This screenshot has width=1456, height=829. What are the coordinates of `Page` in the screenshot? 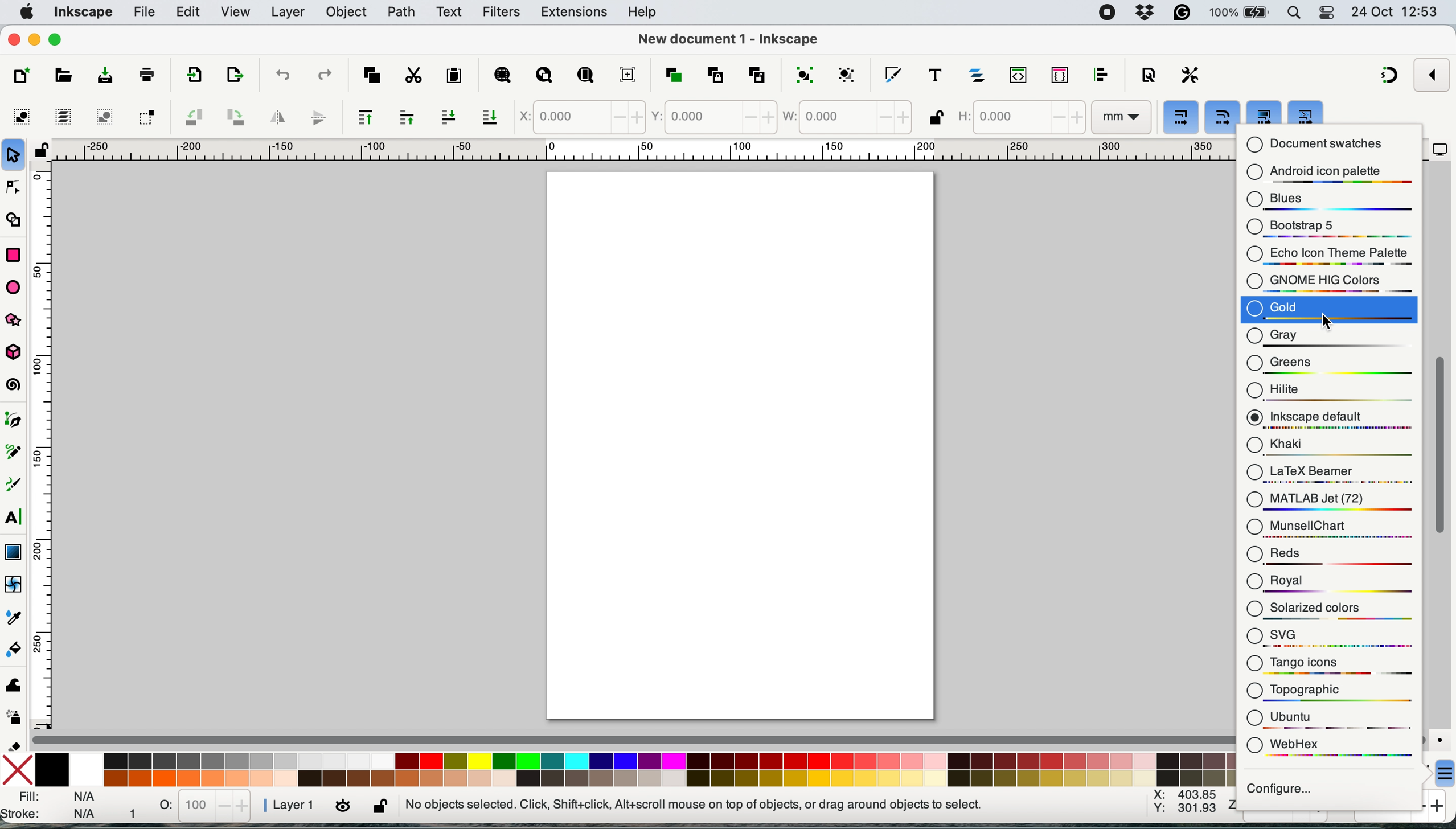 It's located at (743, 445).